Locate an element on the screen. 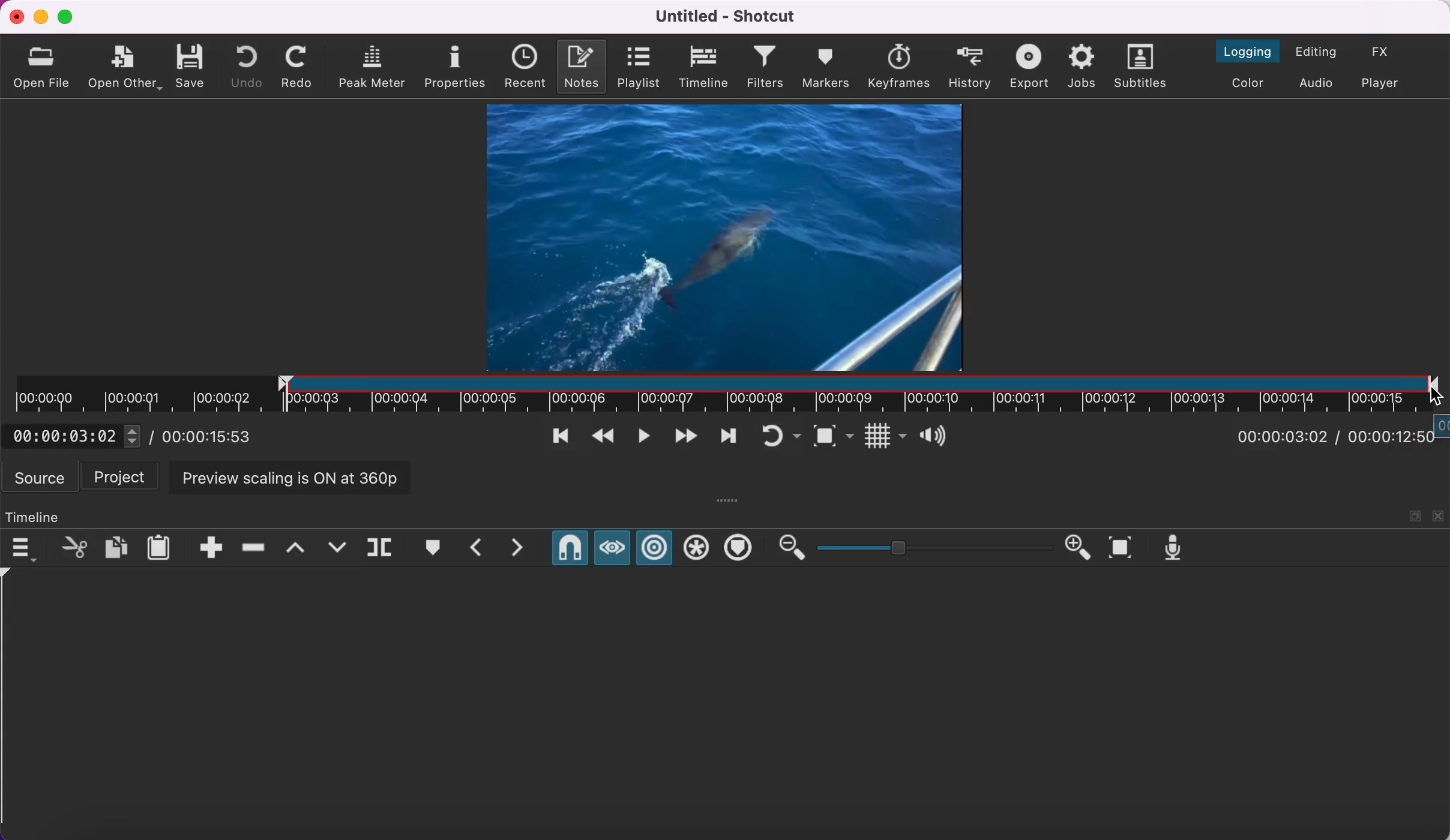   is located at coordinates (933, 435).